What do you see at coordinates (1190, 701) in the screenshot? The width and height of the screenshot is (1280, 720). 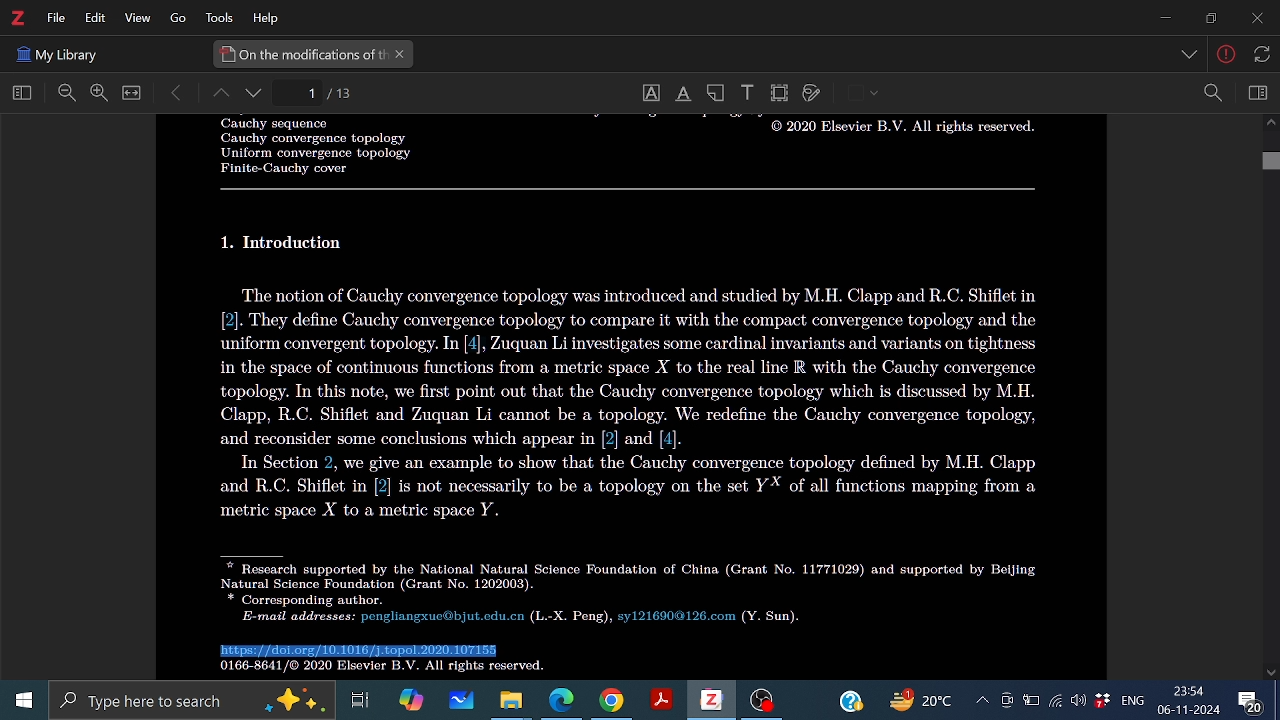 I see `Time and date` at bounding box center [1190, 701].